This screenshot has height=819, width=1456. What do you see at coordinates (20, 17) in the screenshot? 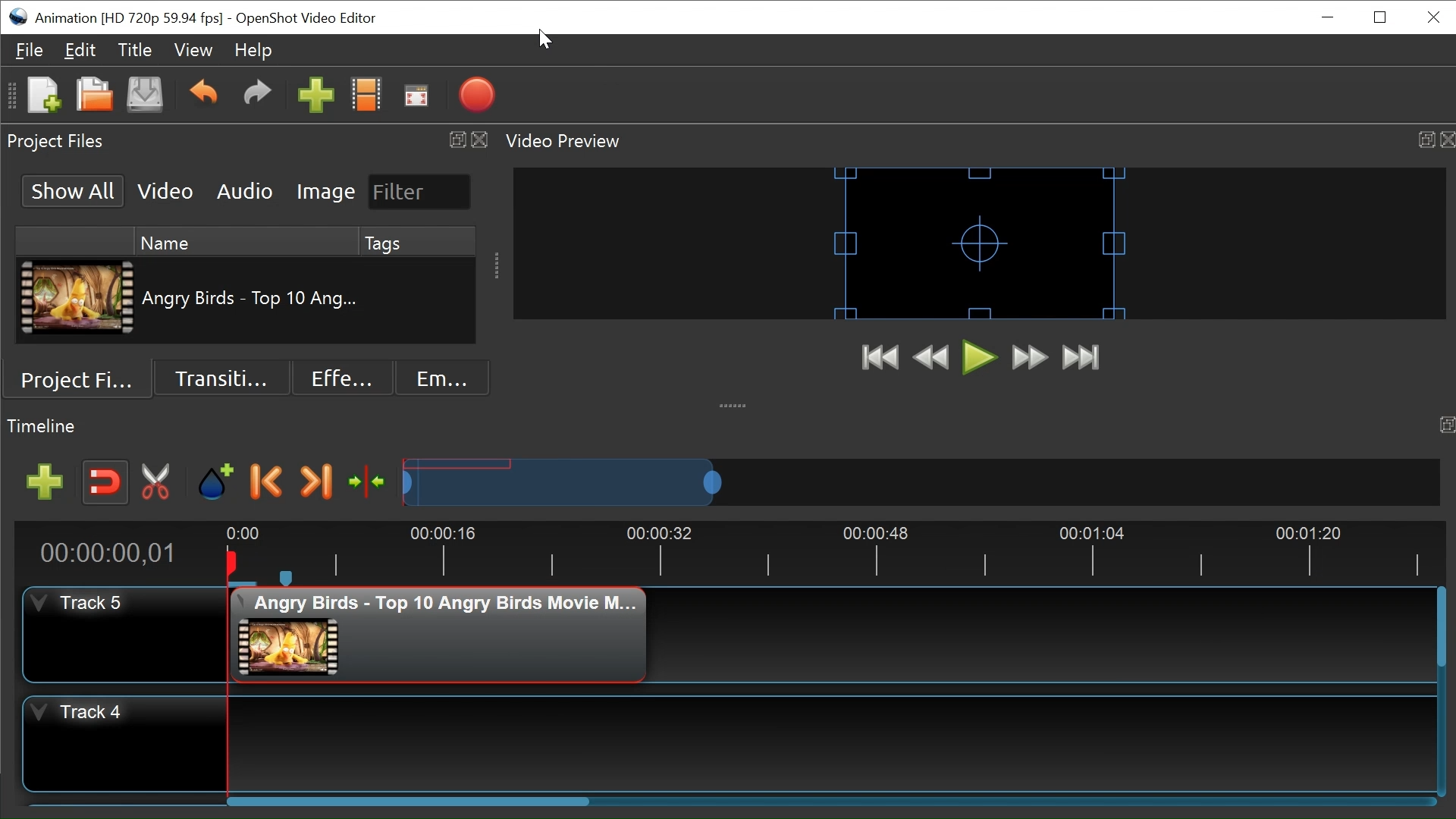
I see `OpenShot Desktop Icon` at bounding box center [20, 17].